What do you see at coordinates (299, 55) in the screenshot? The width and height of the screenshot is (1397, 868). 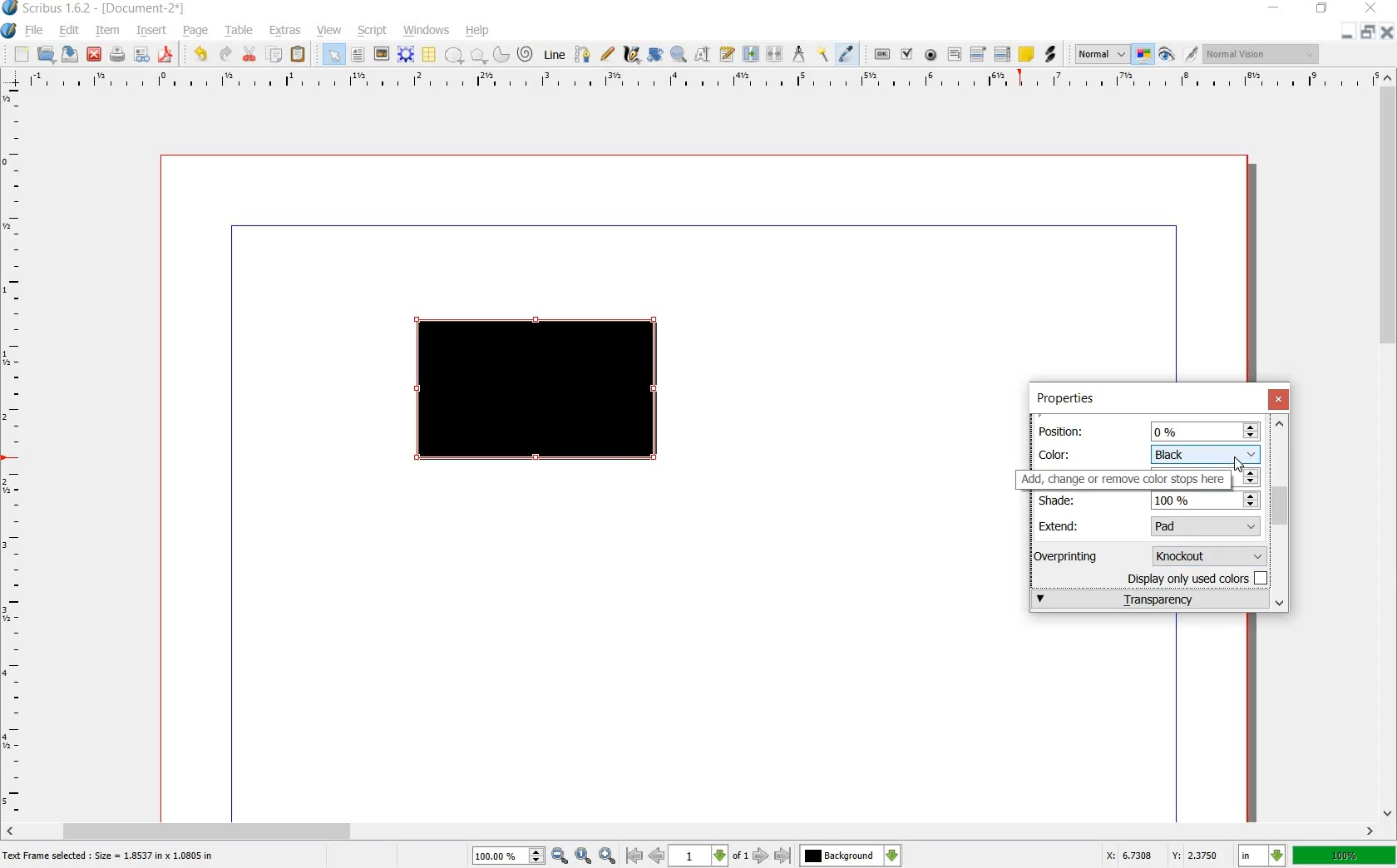 I see `paste` at bounding box center [299, 55].